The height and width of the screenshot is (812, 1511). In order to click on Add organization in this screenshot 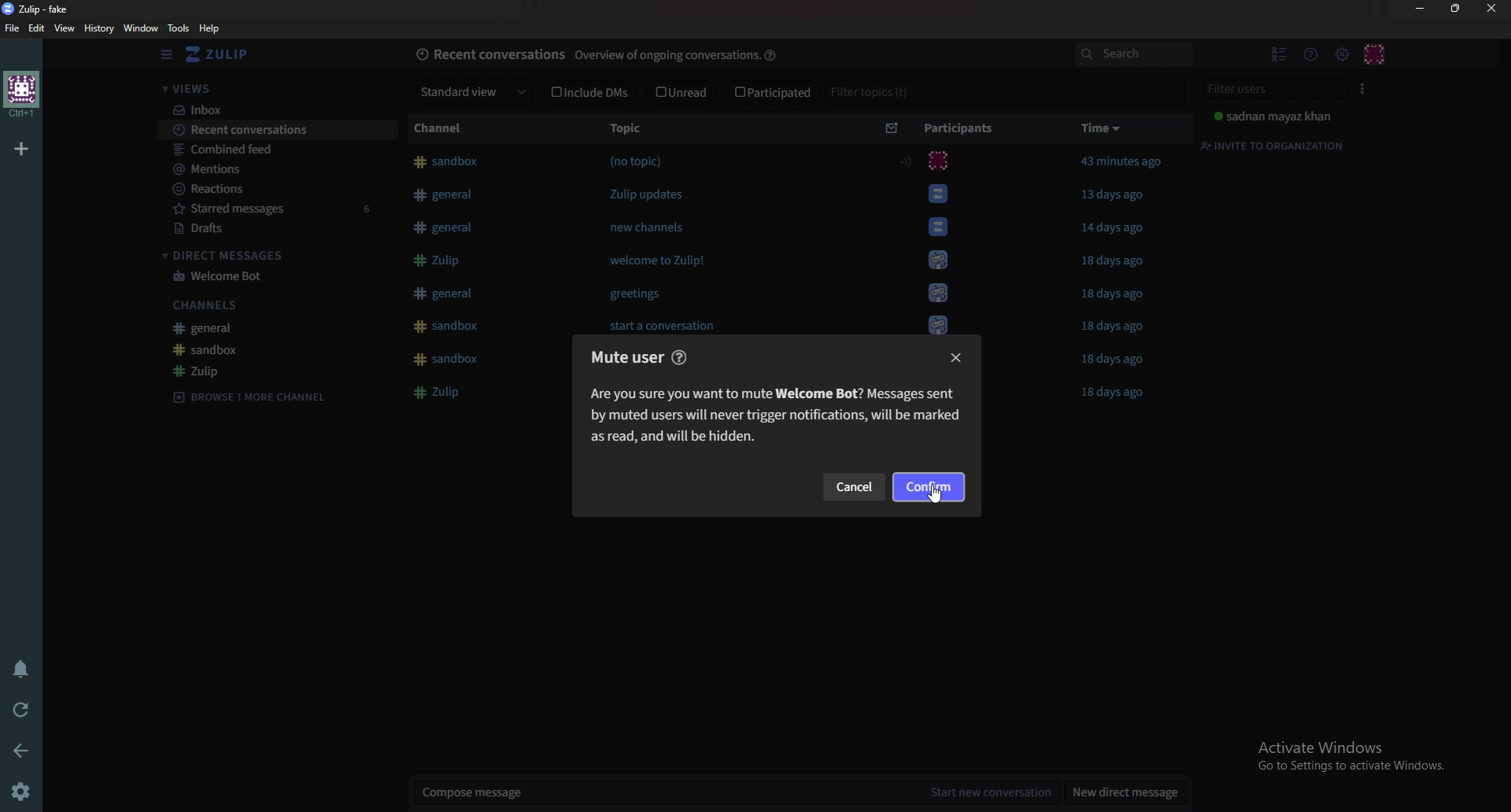, I will do `click(20, 147)`.